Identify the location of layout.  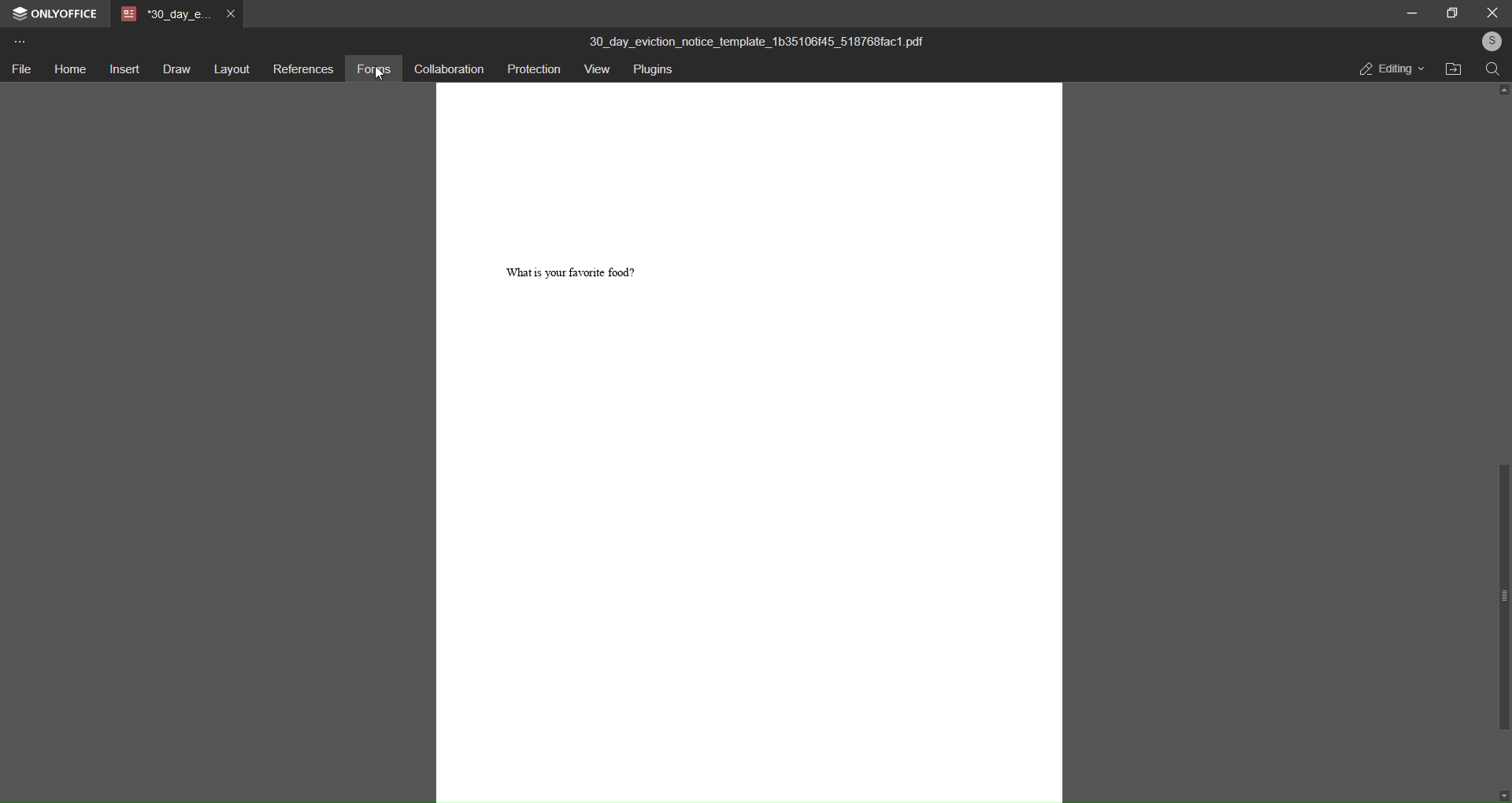
(229, 68).